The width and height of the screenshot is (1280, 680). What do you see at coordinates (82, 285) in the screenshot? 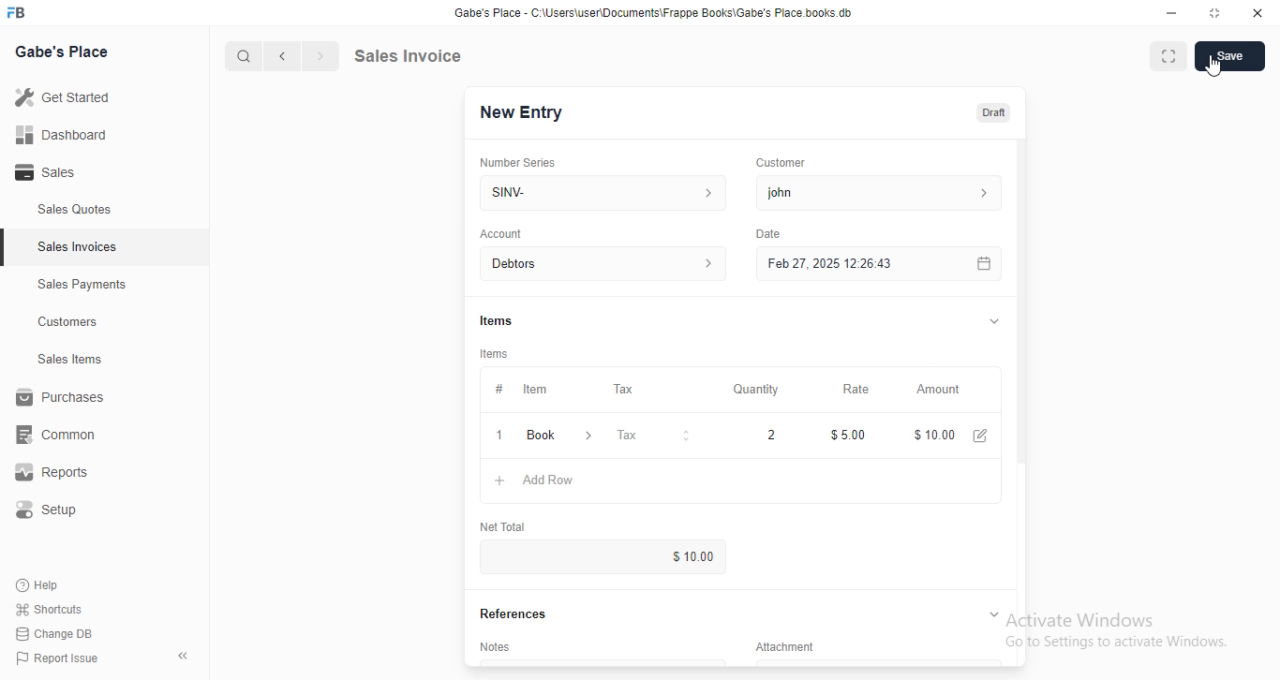
I see `Sales Payments` at bounding box center [82, 285].